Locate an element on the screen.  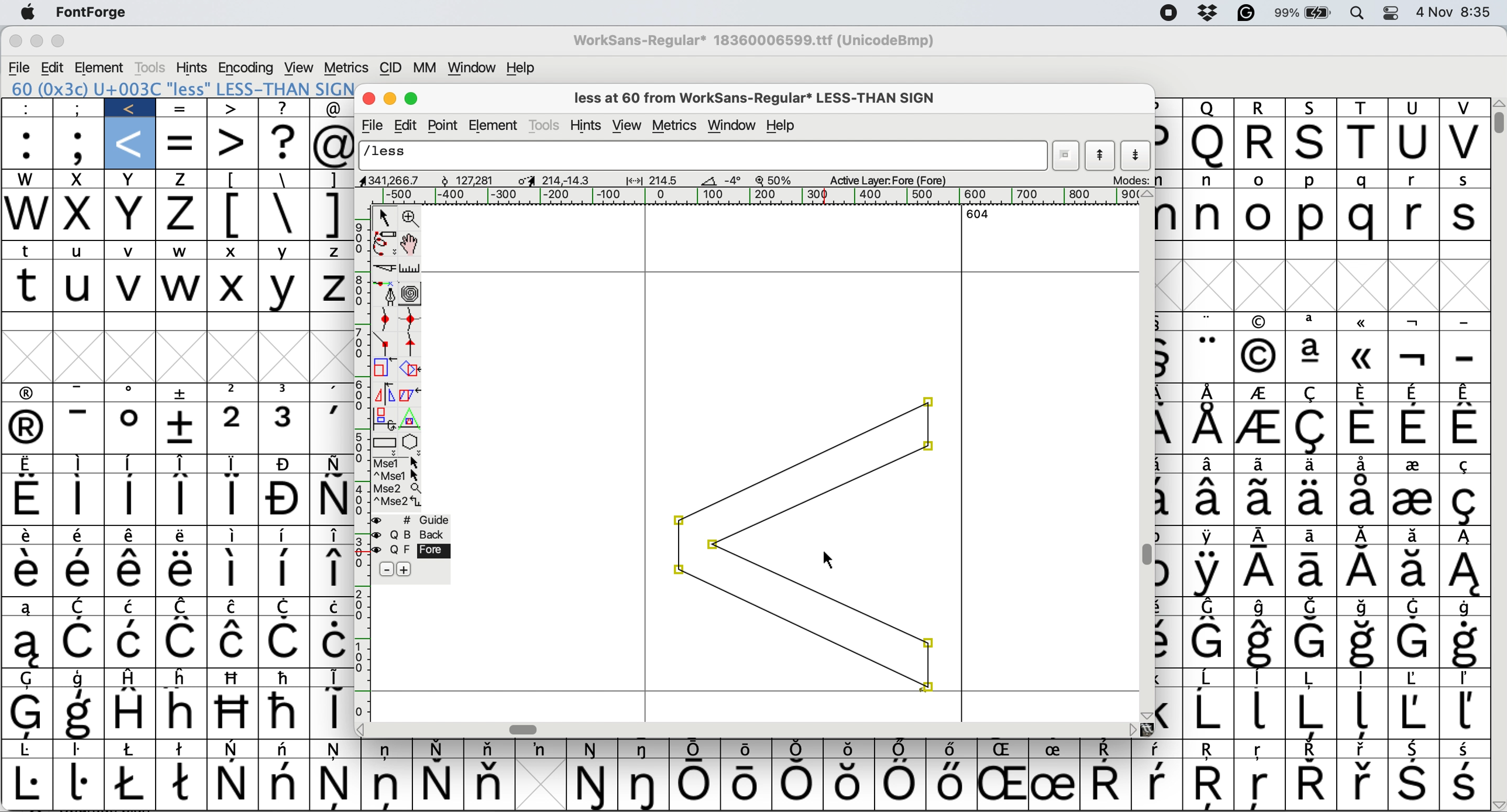
help is located at coordinates (783, 125).